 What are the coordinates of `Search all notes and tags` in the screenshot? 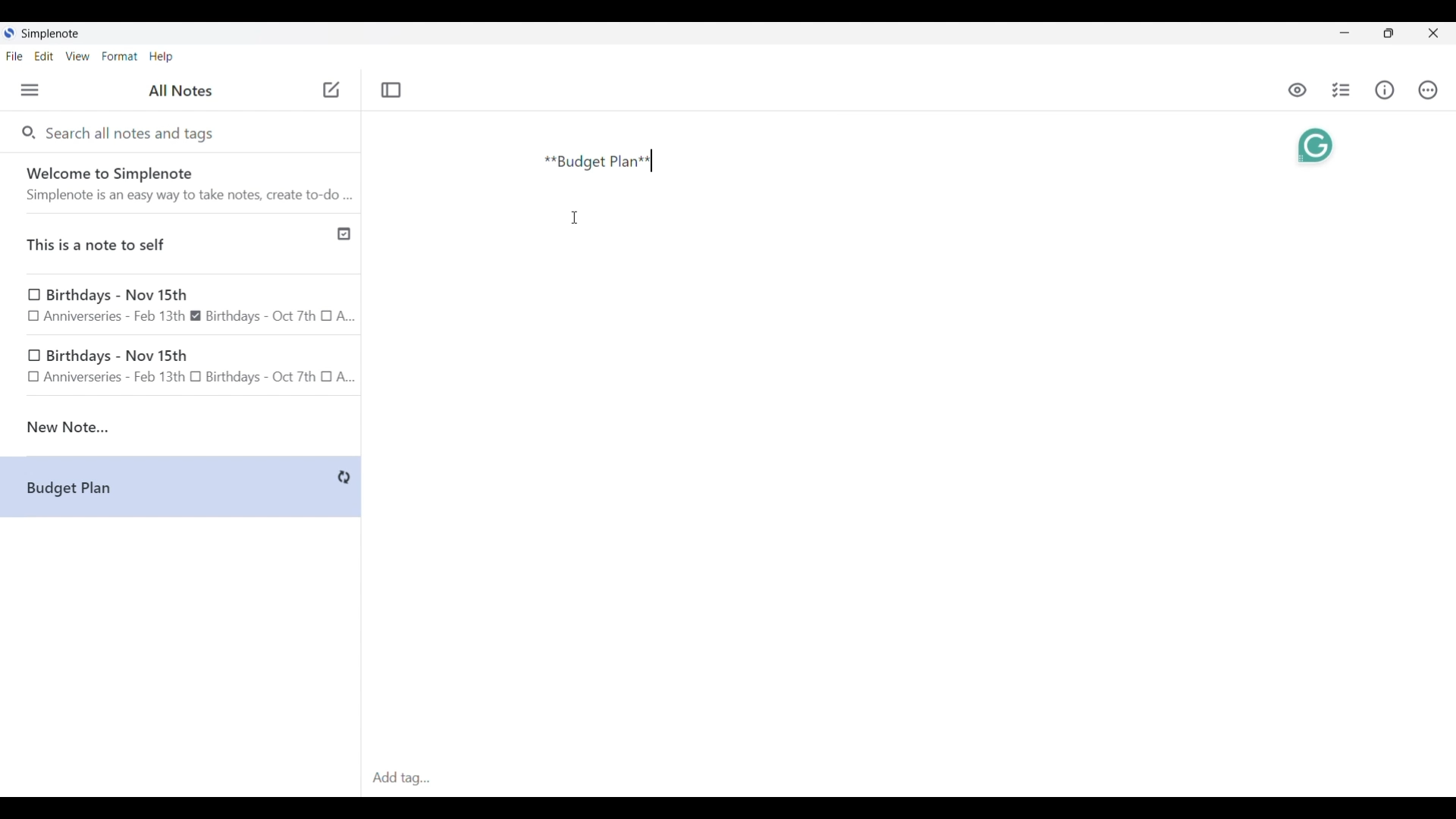 It's located at (133, 132).